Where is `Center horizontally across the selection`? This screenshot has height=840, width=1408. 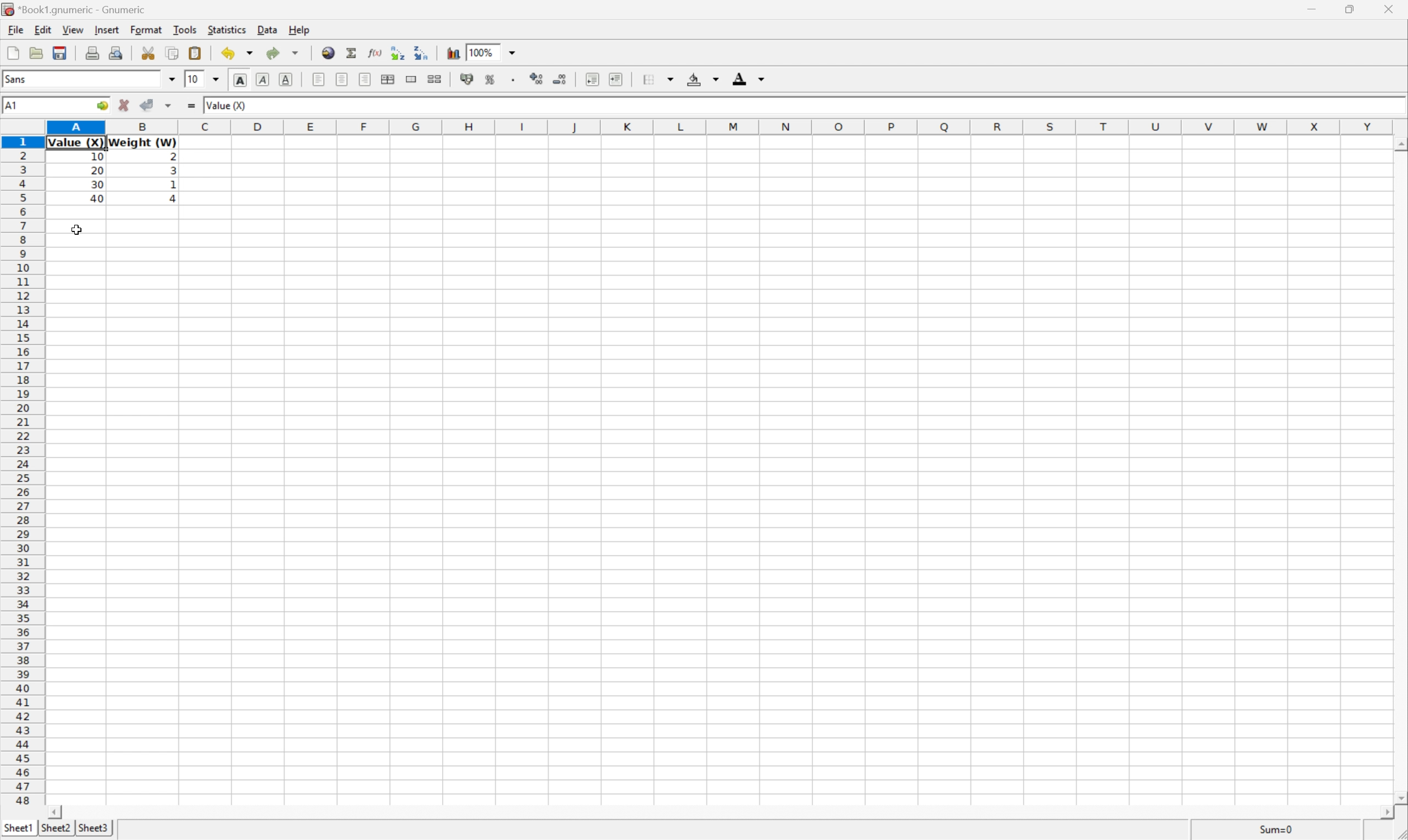 Center horizontally across the selection is located at coordinates (389, 78).